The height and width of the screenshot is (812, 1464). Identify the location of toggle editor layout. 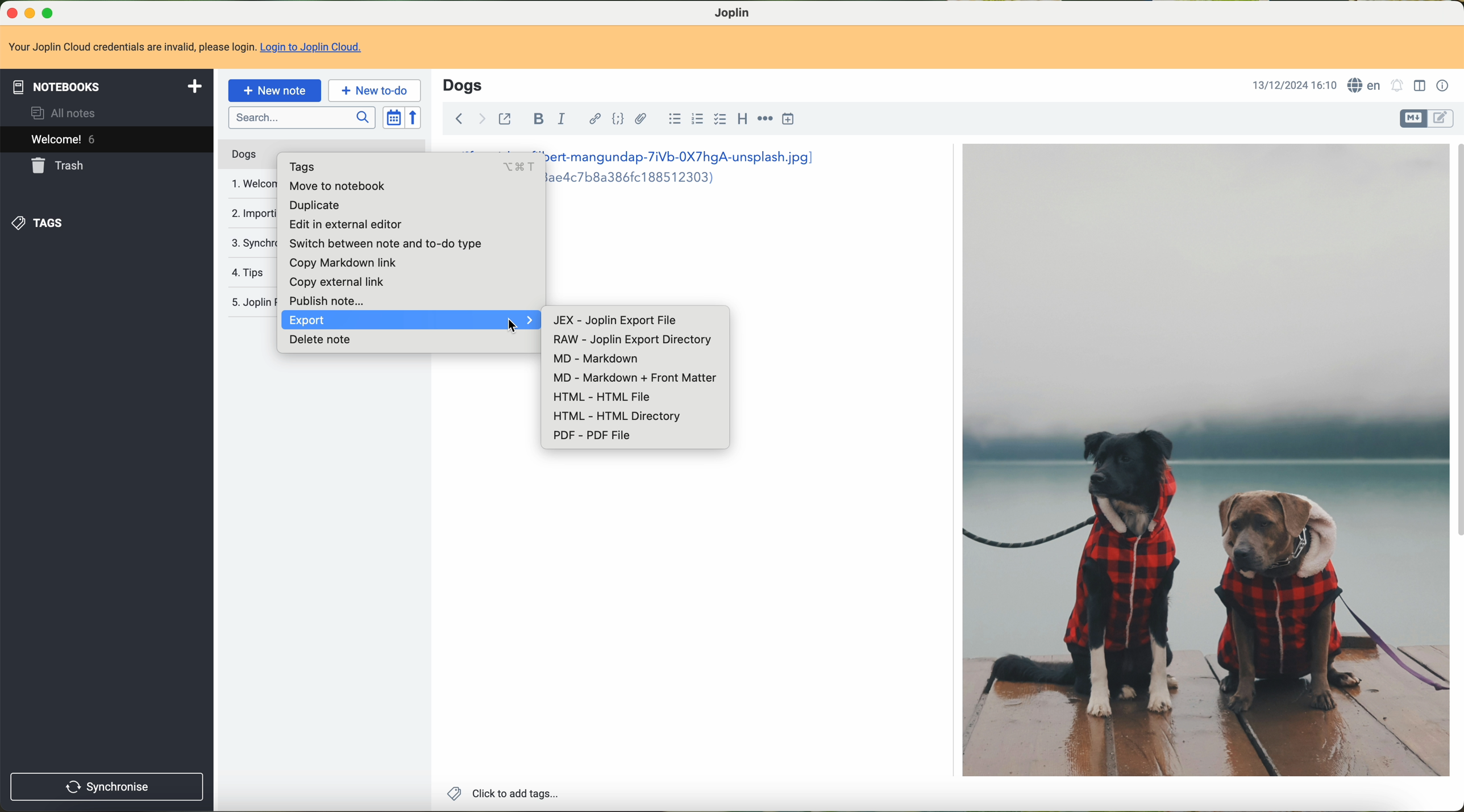
(1420, 85).